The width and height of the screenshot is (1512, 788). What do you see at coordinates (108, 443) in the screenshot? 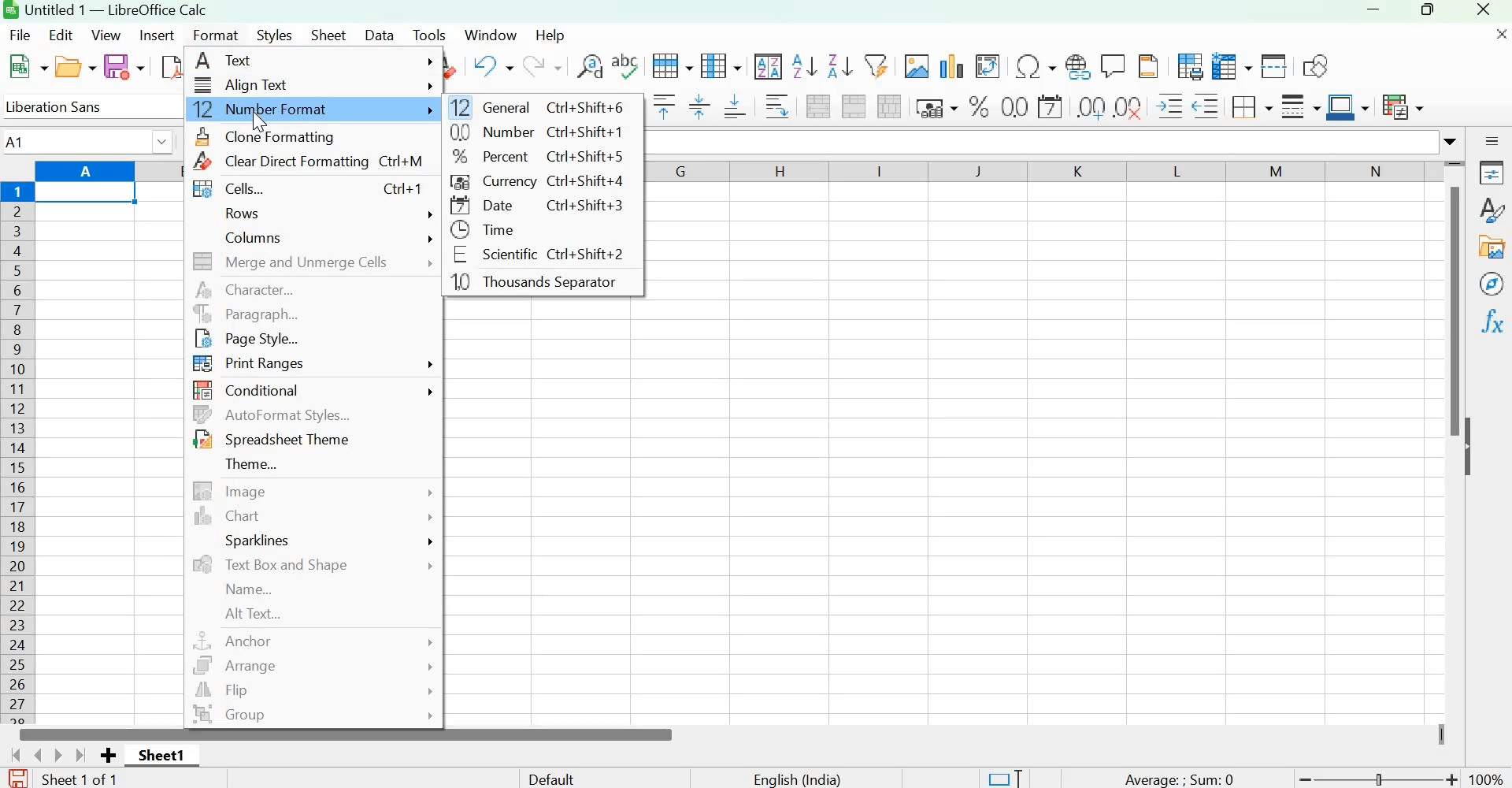
I see `workspace` at bounding box center [108, 443].